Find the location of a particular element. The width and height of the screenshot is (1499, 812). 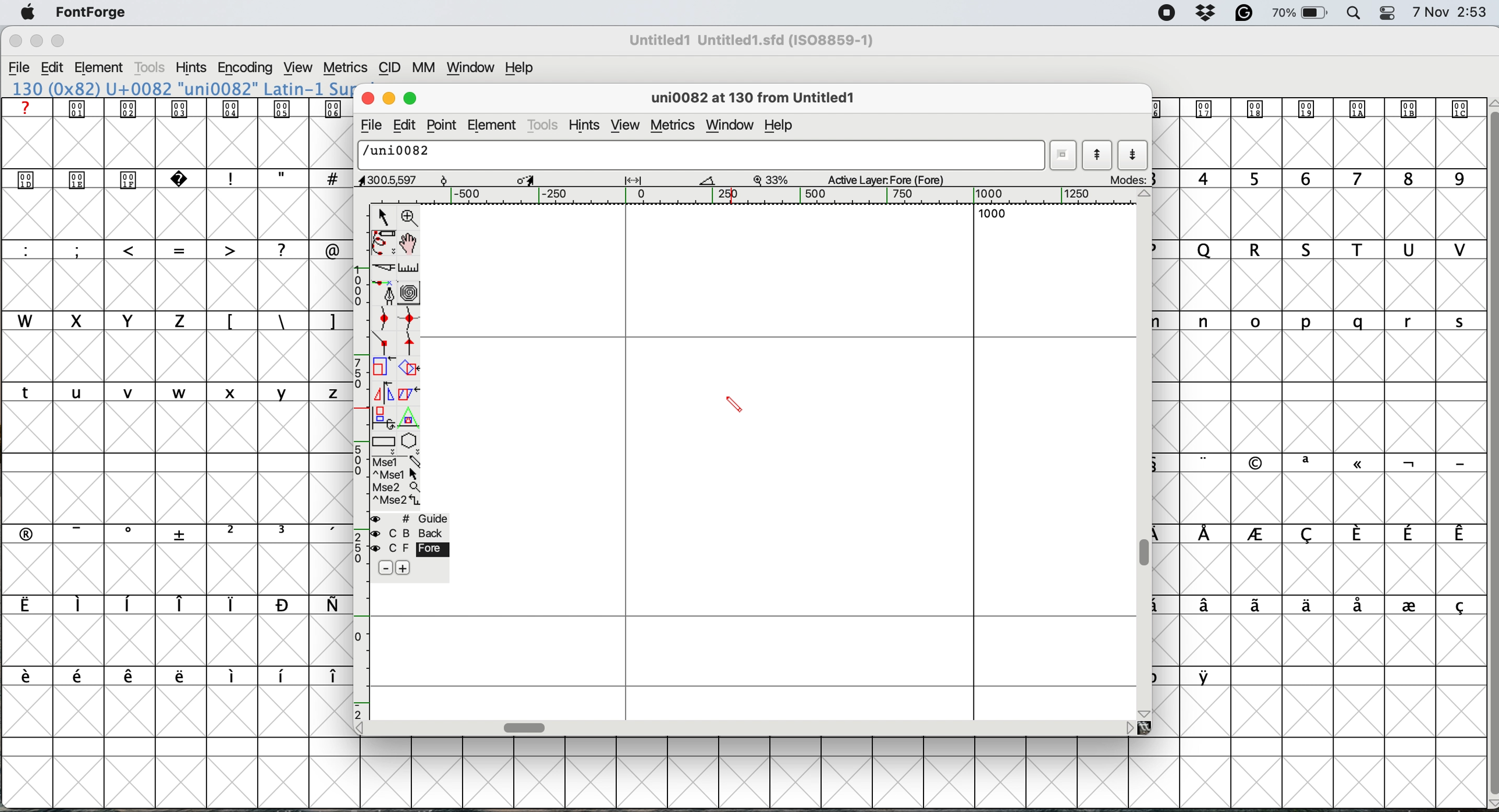

add a curve point horizontally or vertically is located at coordinates (413, 321).